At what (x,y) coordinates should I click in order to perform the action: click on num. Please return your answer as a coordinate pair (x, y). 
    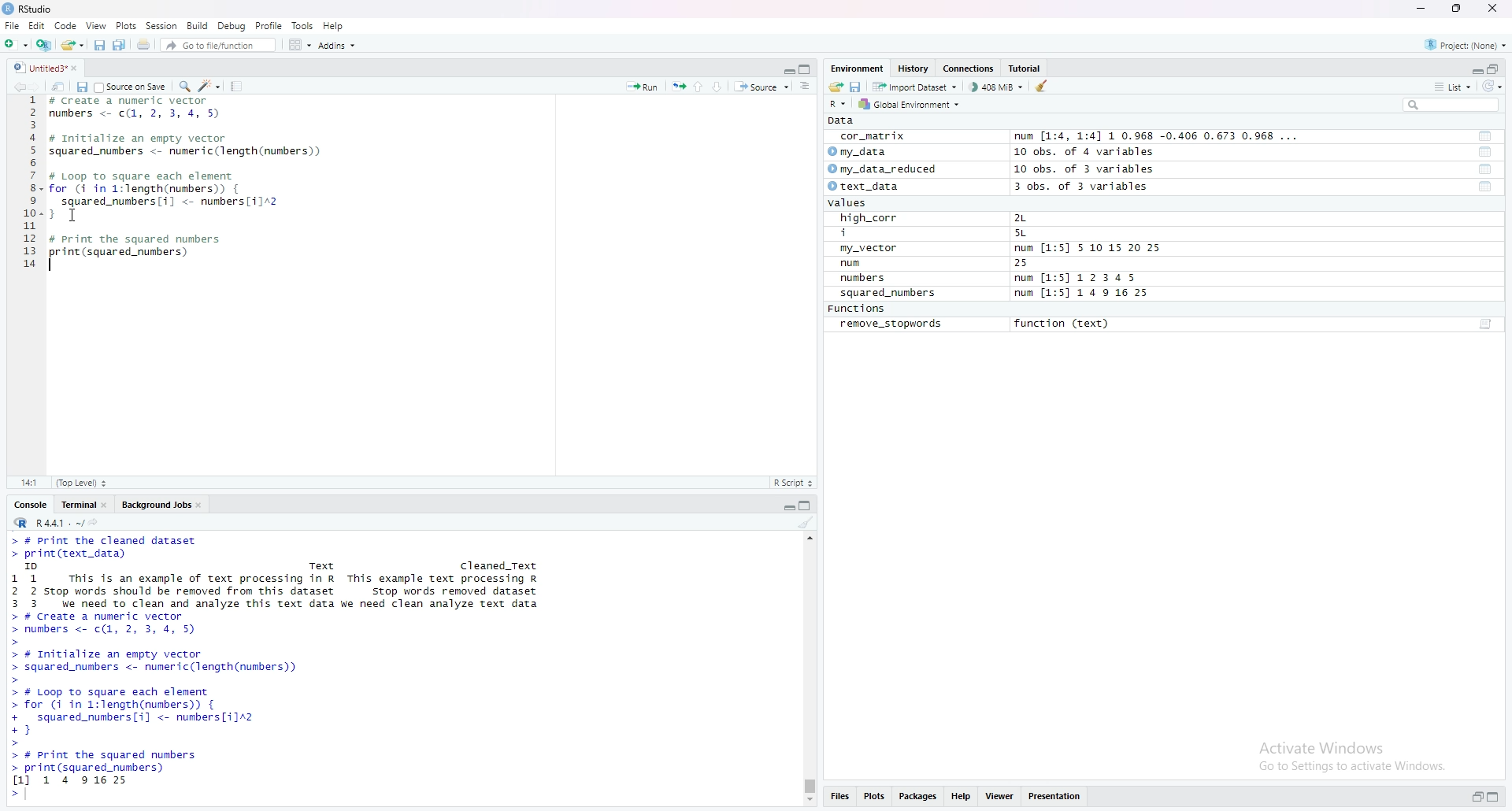
    Looking at the image, I should click on (868, 264).